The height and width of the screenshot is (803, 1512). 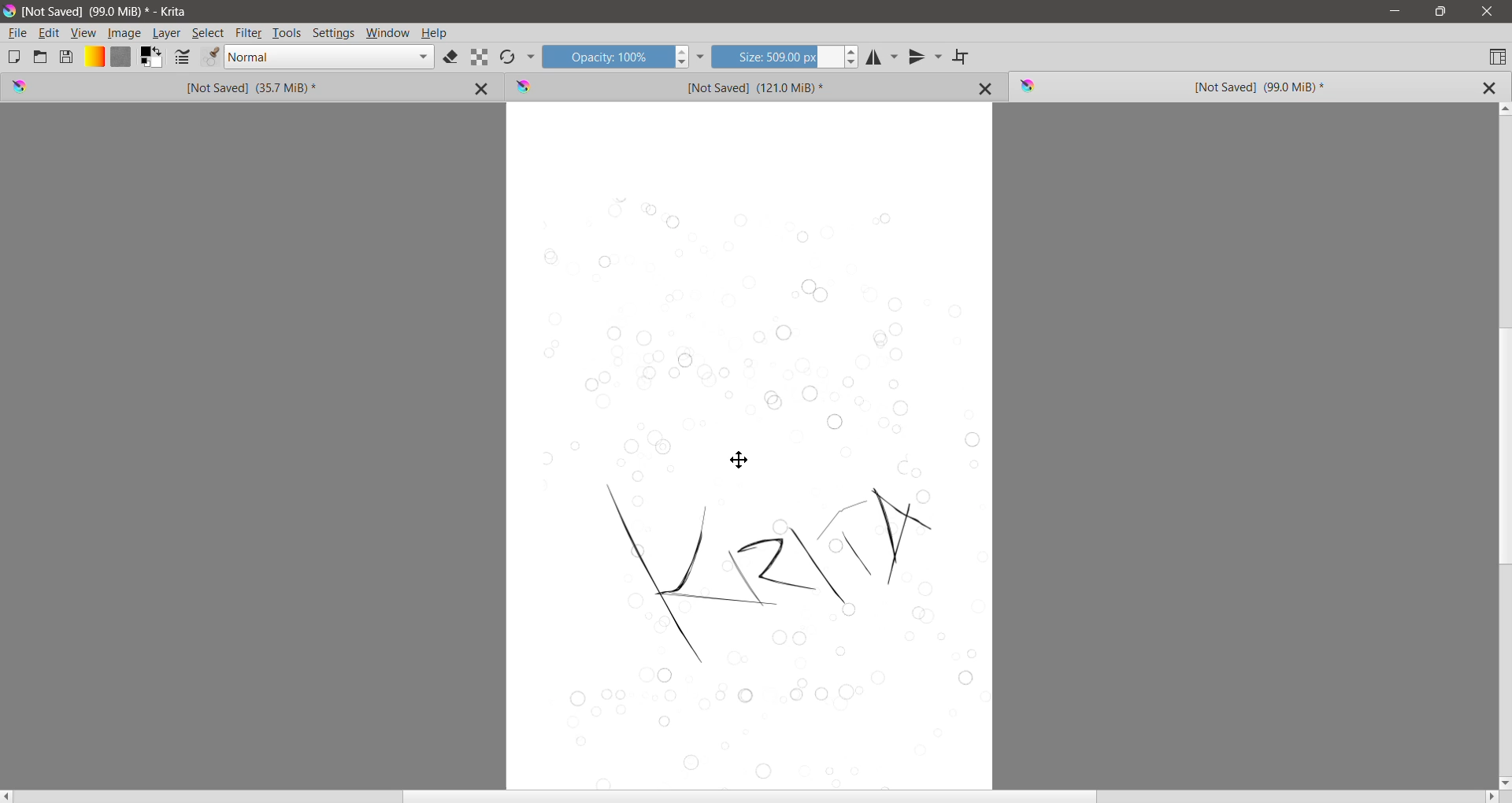 I want to click on Close, so click(x=1488, y=12).